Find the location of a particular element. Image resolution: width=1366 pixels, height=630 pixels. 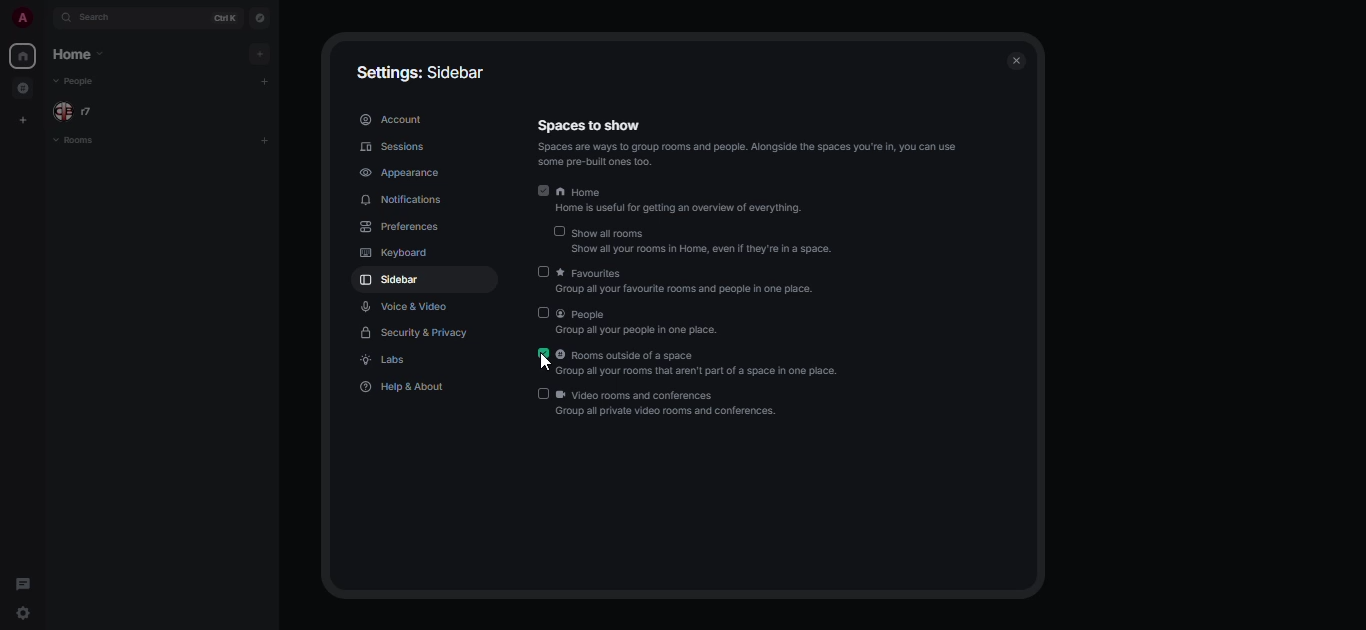

rooms is located at coordinates (74, 141).